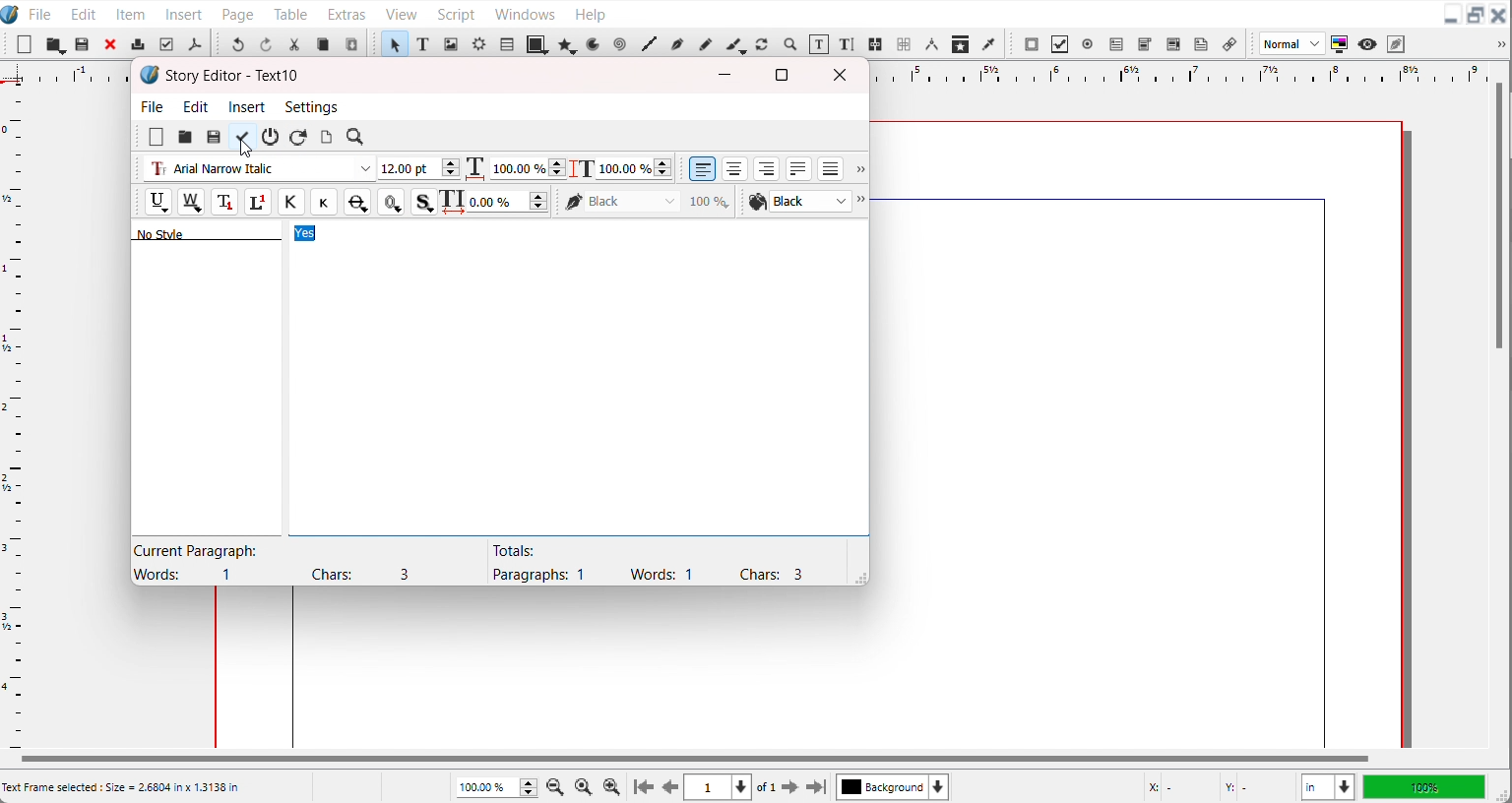 This screenshot has height=803, width=1512. Describe the element at coordinates (248, 106) in the screenshot. I see `Insert` at that location.